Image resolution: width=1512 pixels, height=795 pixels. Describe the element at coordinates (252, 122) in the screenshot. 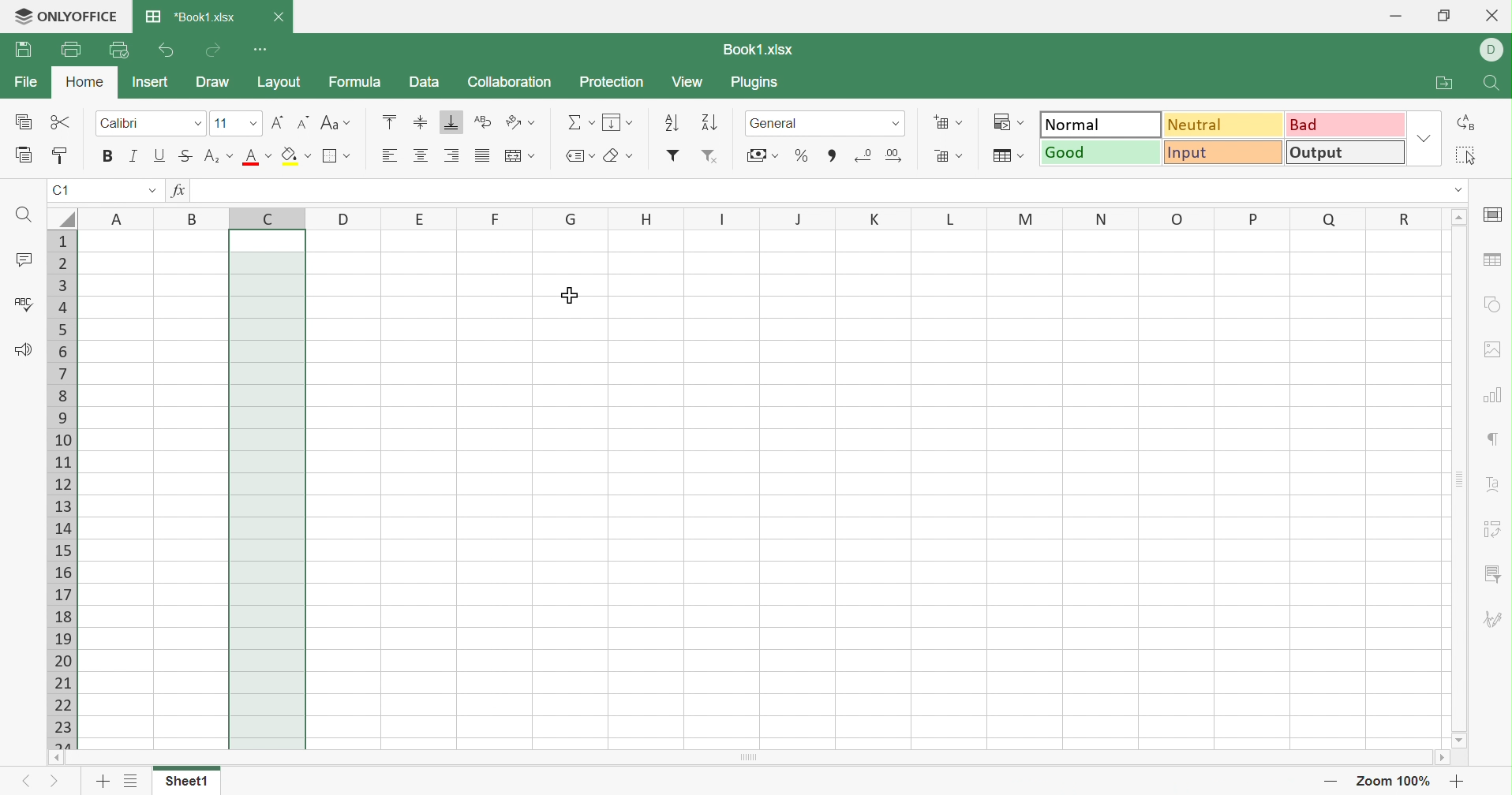

I see `Drop Down` at that location.